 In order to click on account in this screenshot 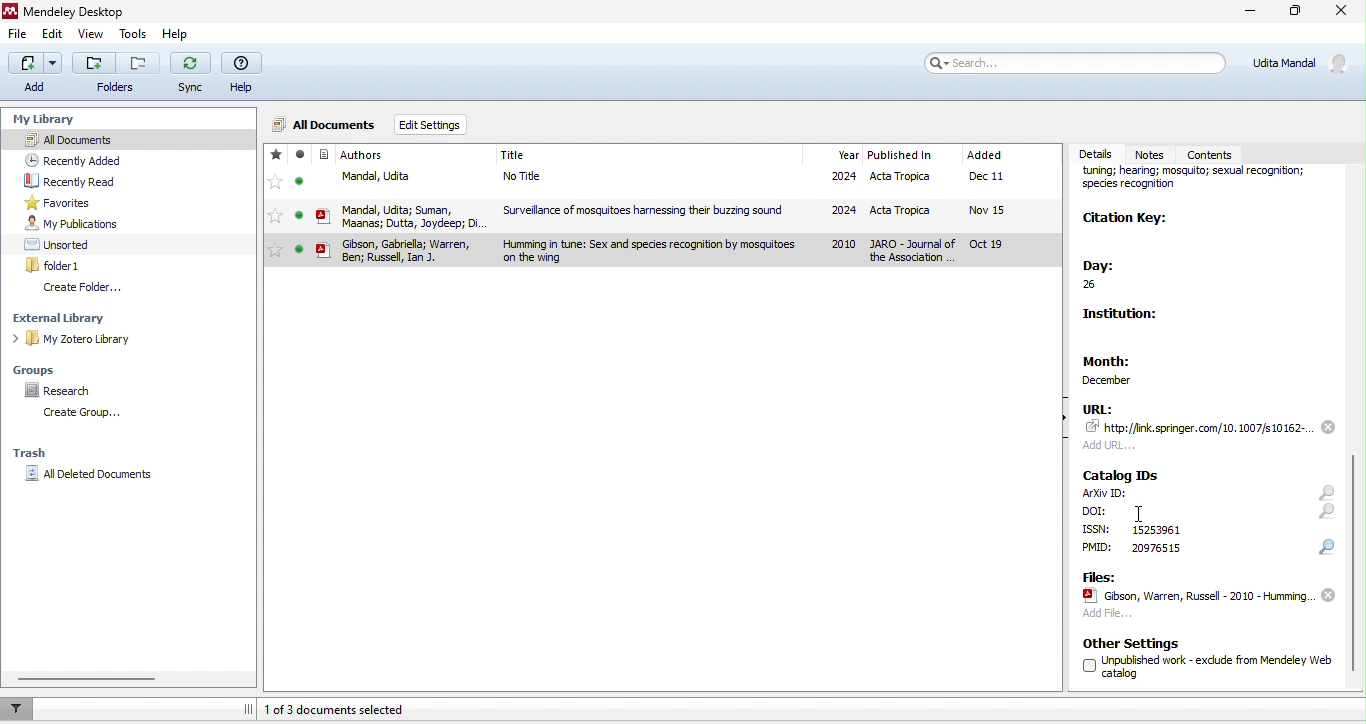, I will do `click(1302, 62)`.